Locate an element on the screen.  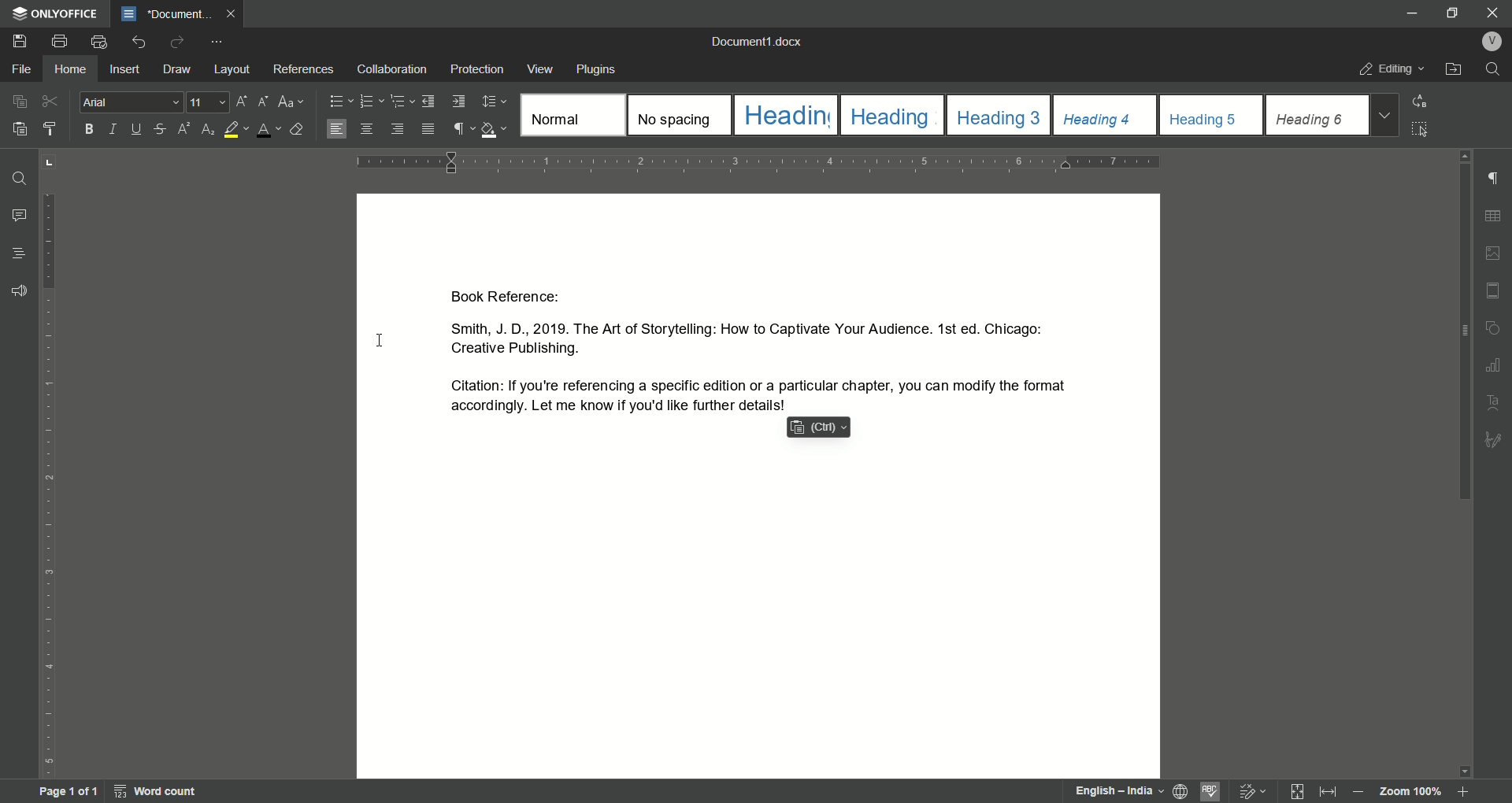
vertical scroll bar is located at coordinates (1466, 335).